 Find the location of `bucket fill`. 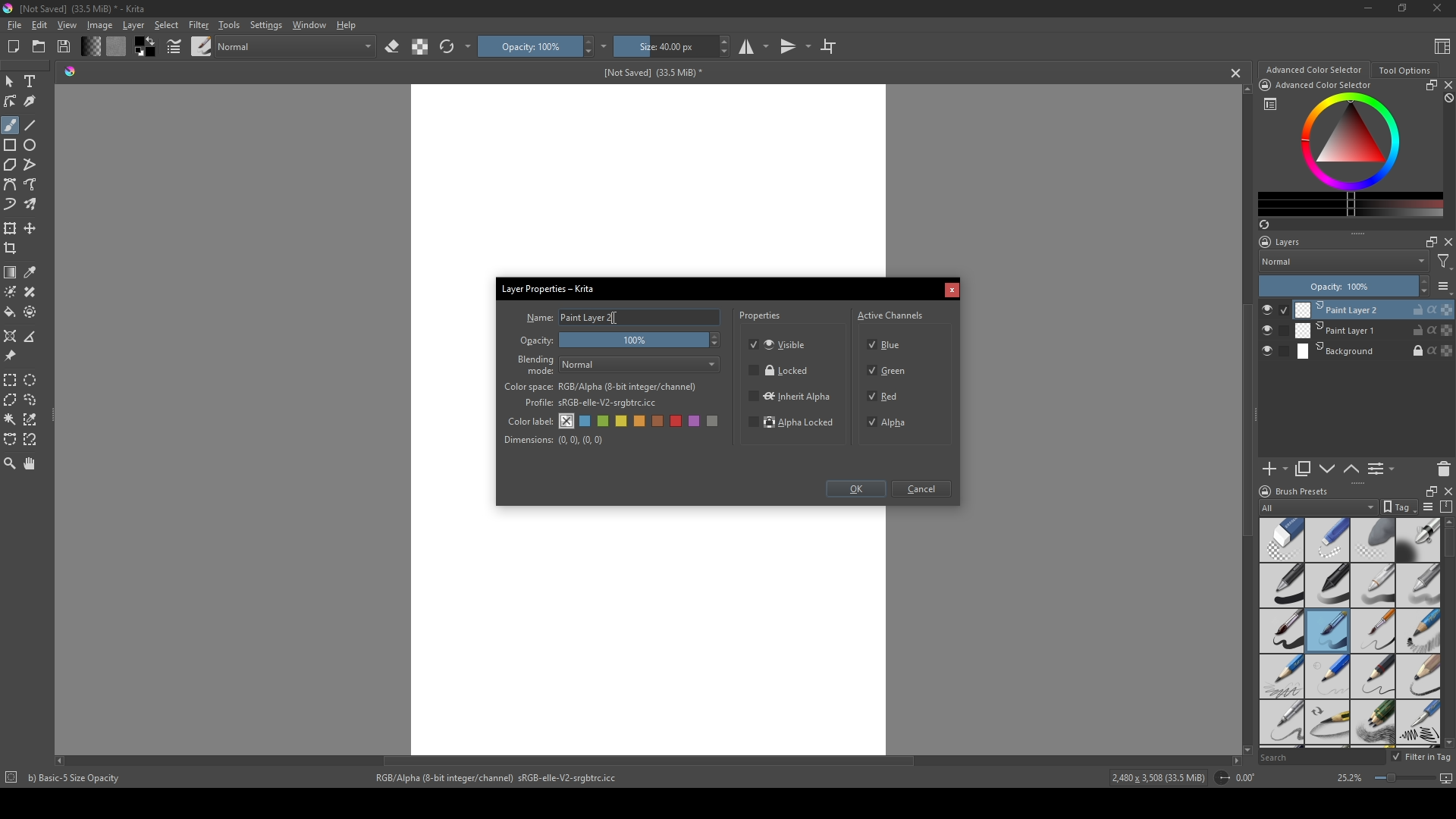

bucket fill is located at coordinates (11, 312).